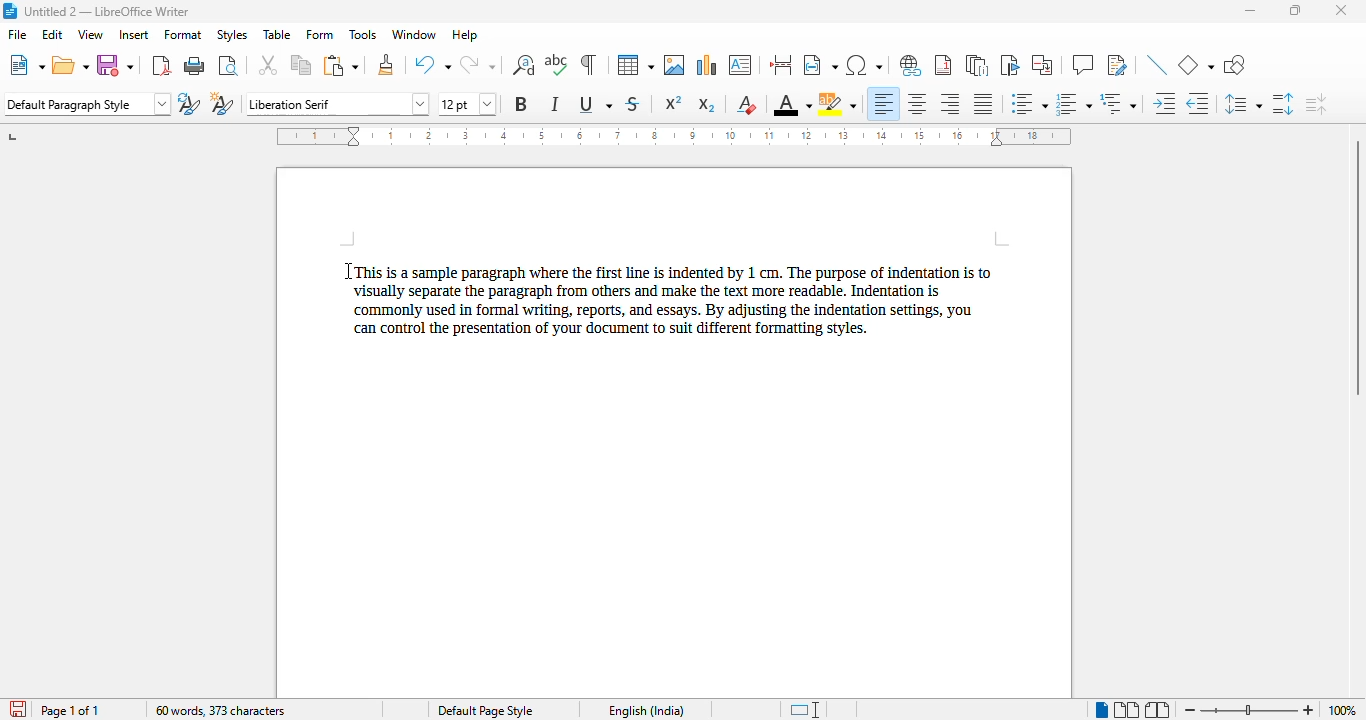 This screenshot has height=720, width=1366. What do you see at coordinates (9, 11) in the screenshot?
I see `logo` at bounding box center [9, 11].